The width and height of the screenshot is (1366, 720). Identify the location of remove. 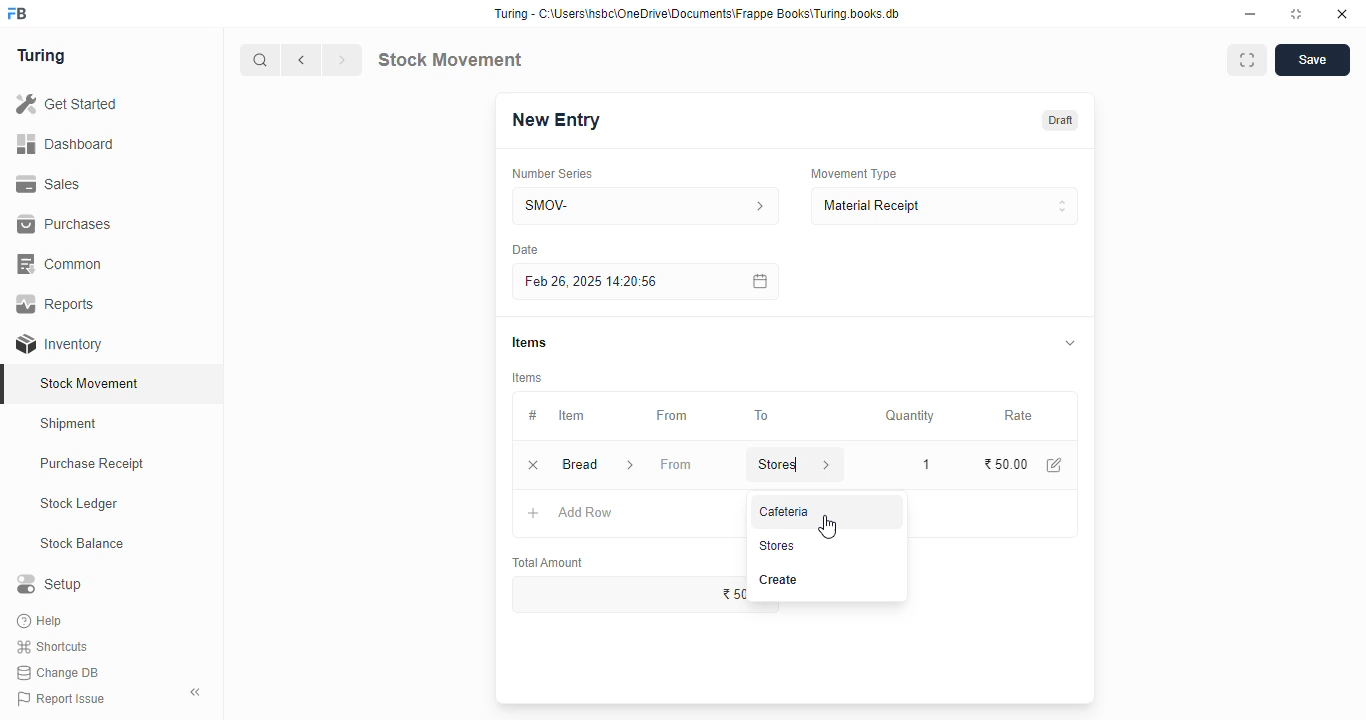
(533, 466).